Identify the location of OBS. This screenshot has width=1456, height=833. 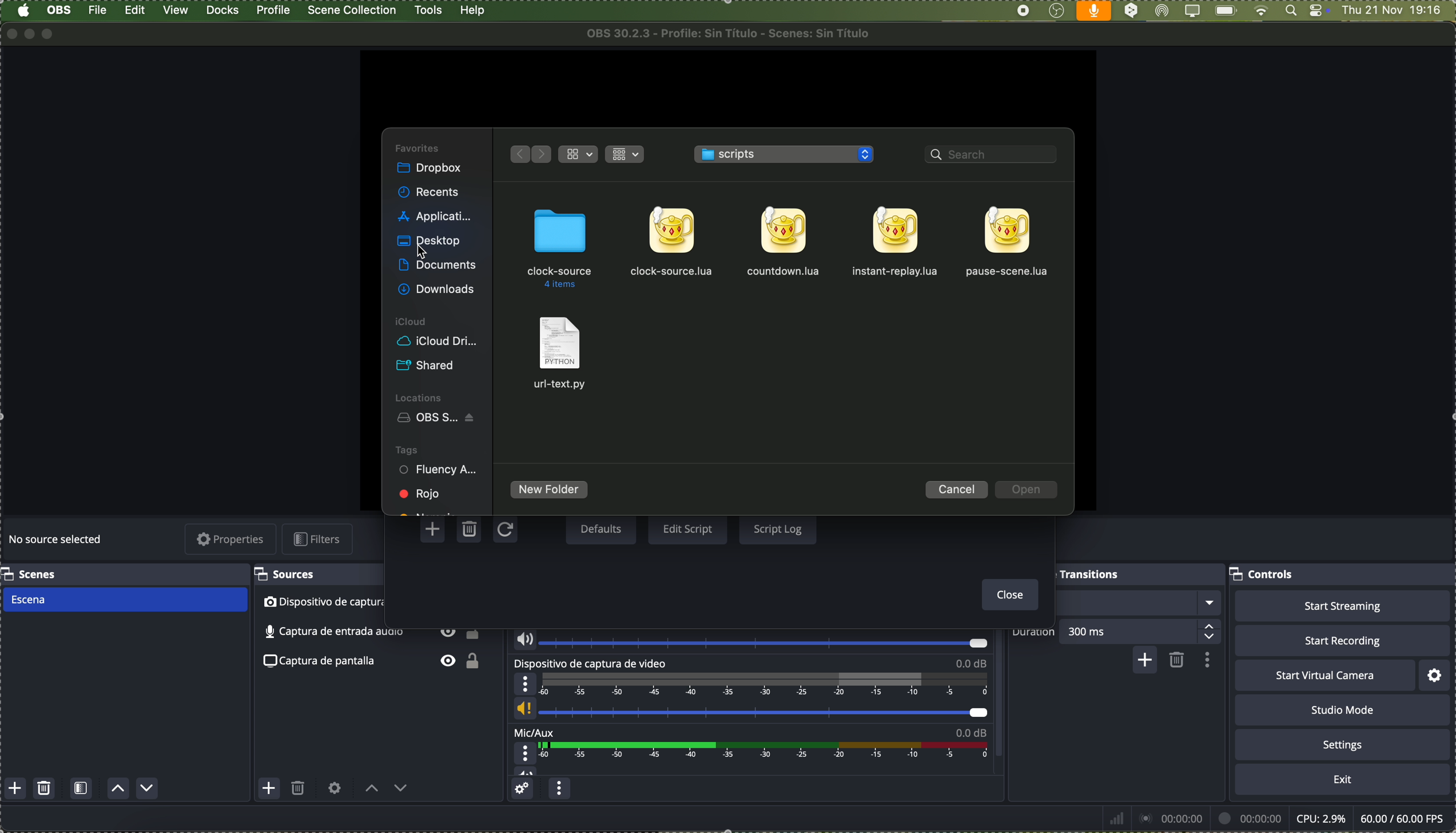
(60, 10).